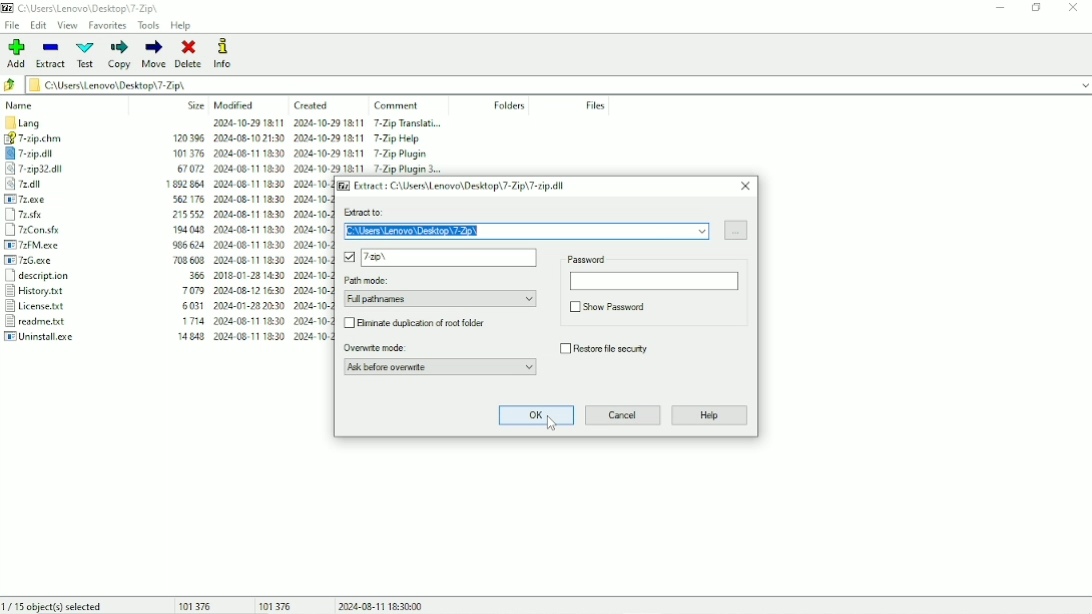 The image size is (1092, 614). I want to click on Add, so click(15, 53).